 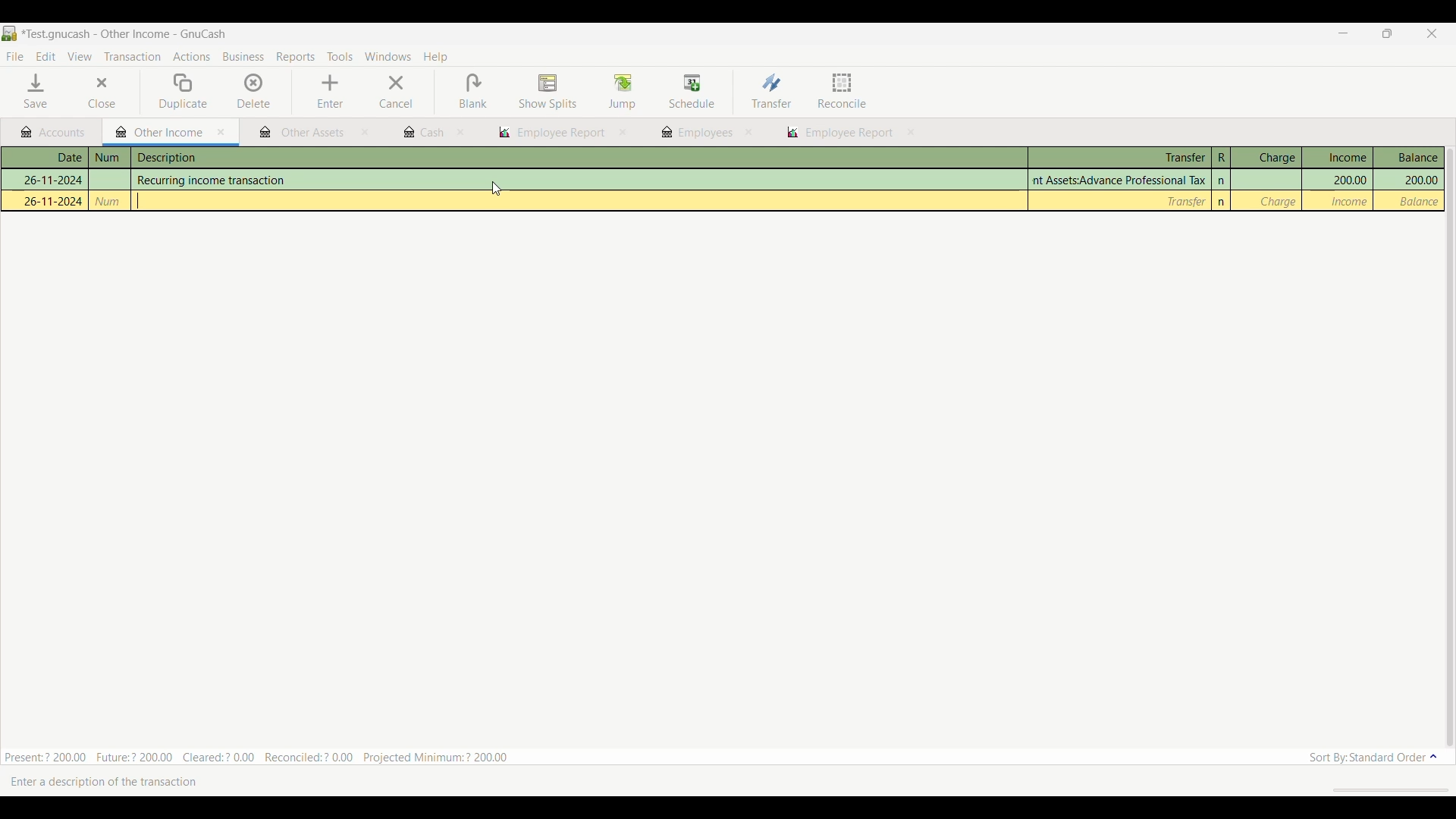 What do you see at coordinates (1409, 157) in the screenshot?
I see `Balance column` at bounding box center [1409, 157].